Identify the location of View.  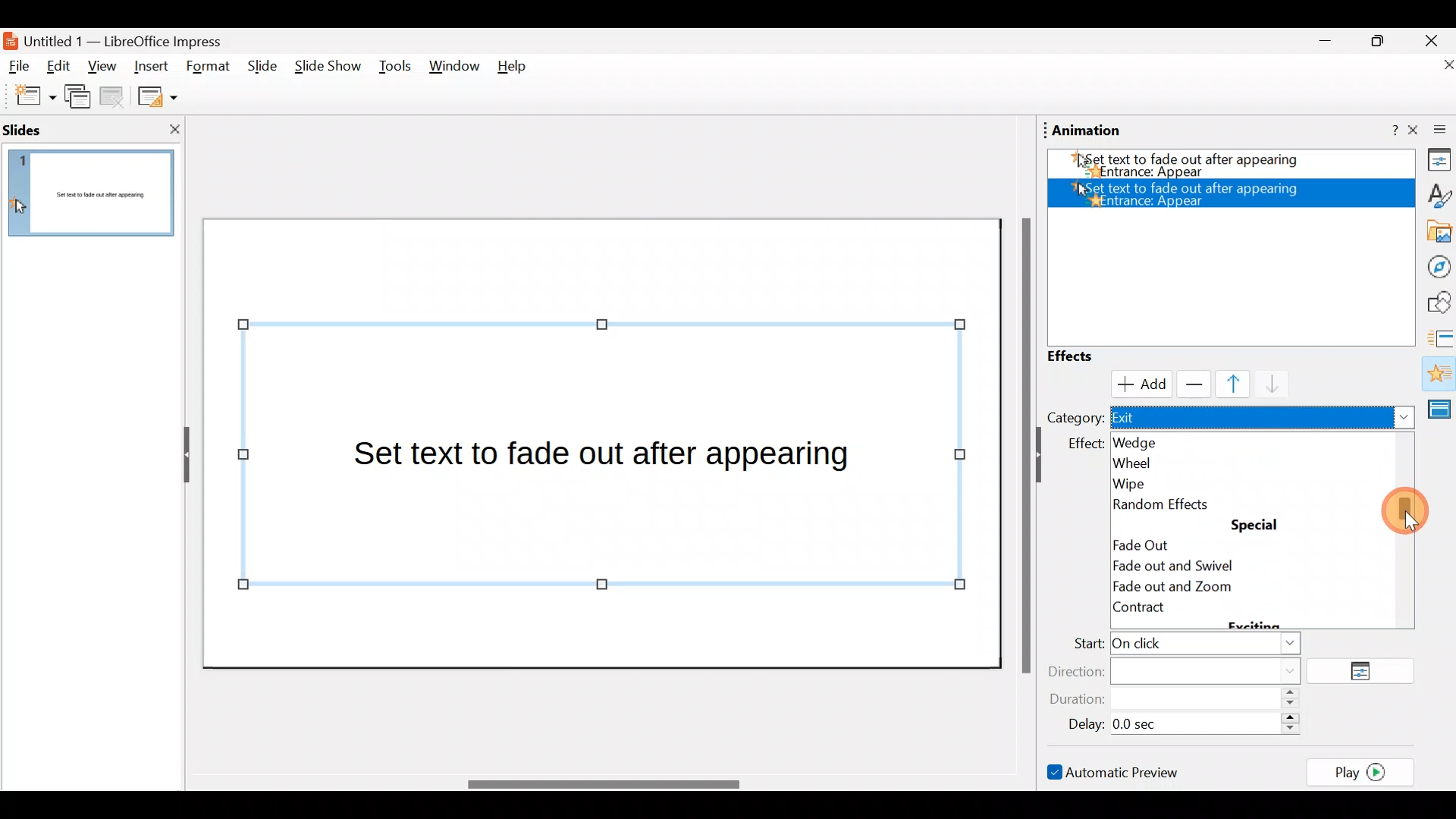
(102, 71).